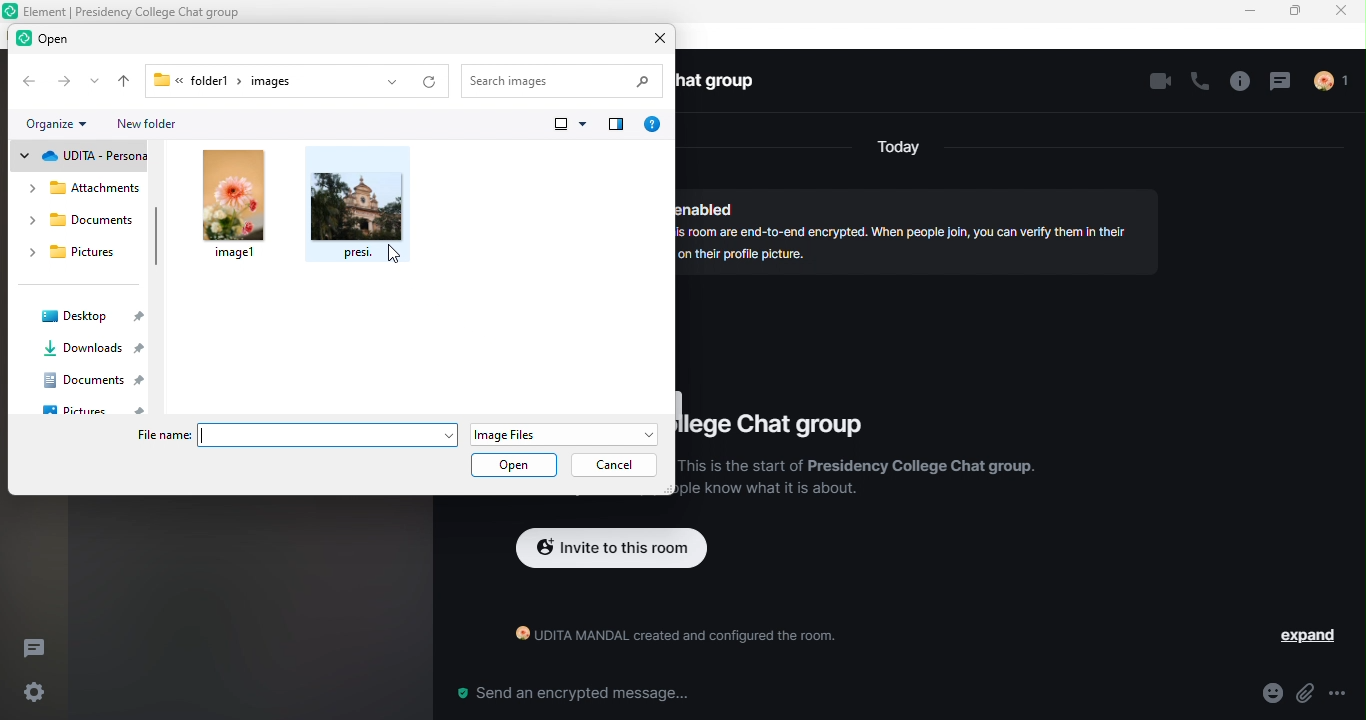 This screenshot has width=1366, height=720. Describe the element at coordinates (899, 149) in the screenshot. I see `today` at that location.